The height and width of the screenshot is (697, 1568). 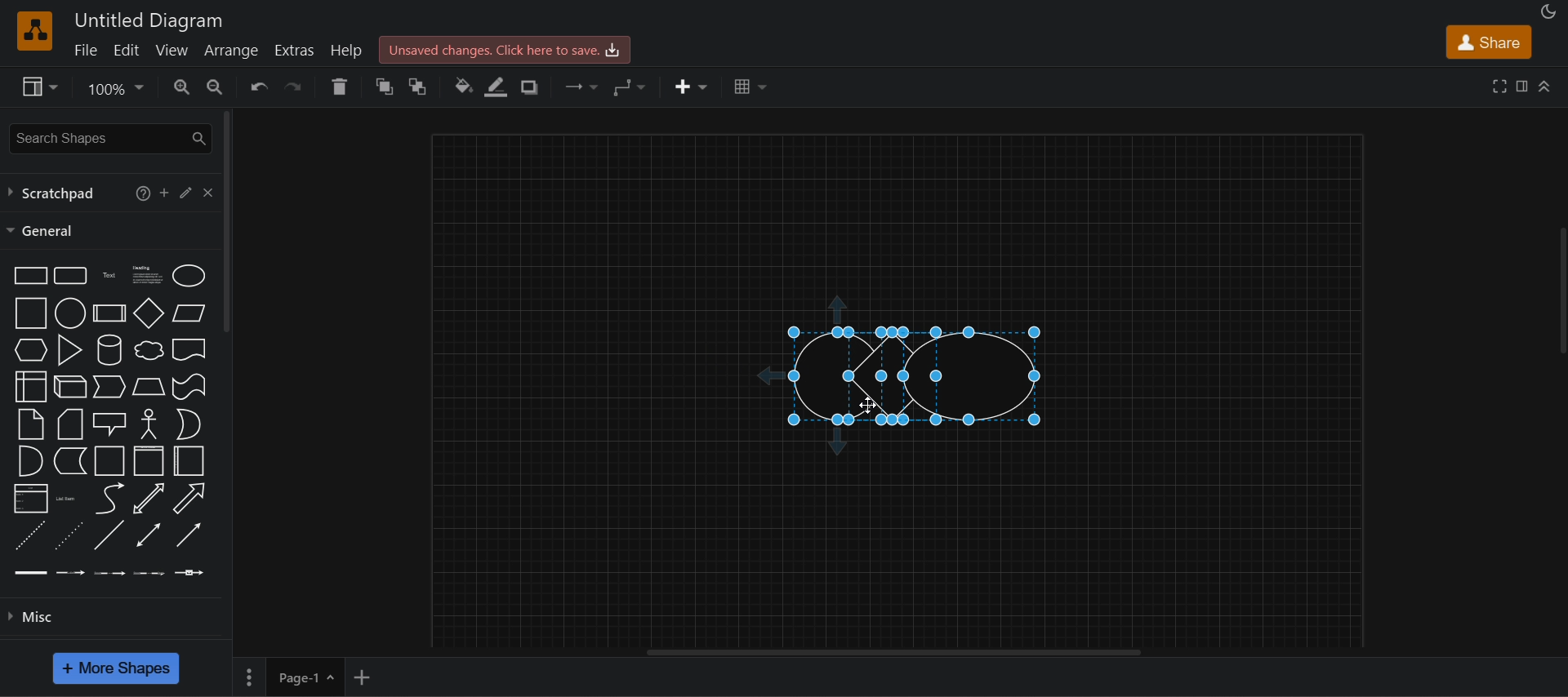 What do you see at coordinates (110, 571) in the screenshot?
I see `connector with 2 labels` at bounding box center [110, 571].